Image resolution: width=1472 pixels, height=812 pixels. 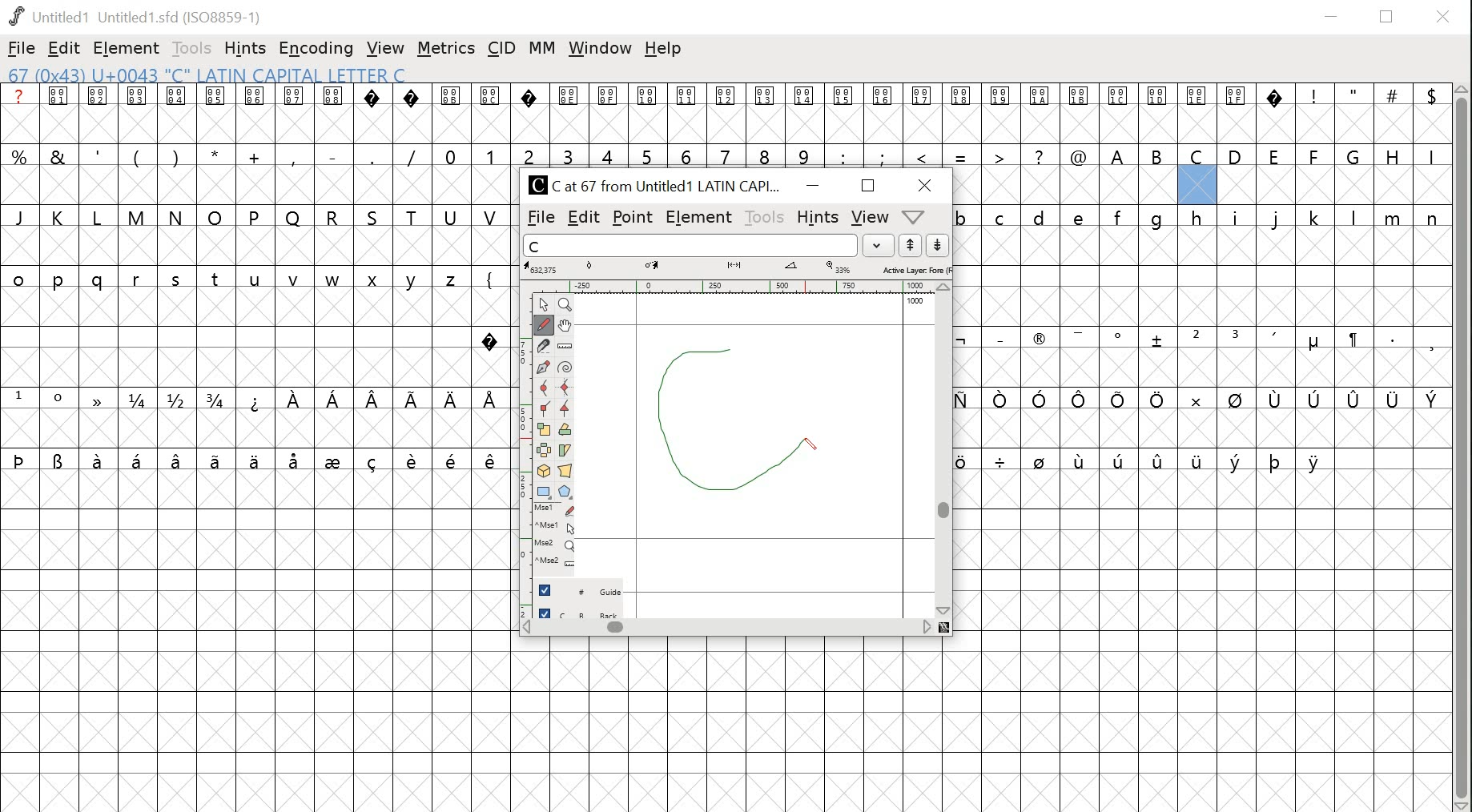 What do you see at coordinates (547, 388) in the screenshot?
I see `curve` at bounding box center [547, 388].